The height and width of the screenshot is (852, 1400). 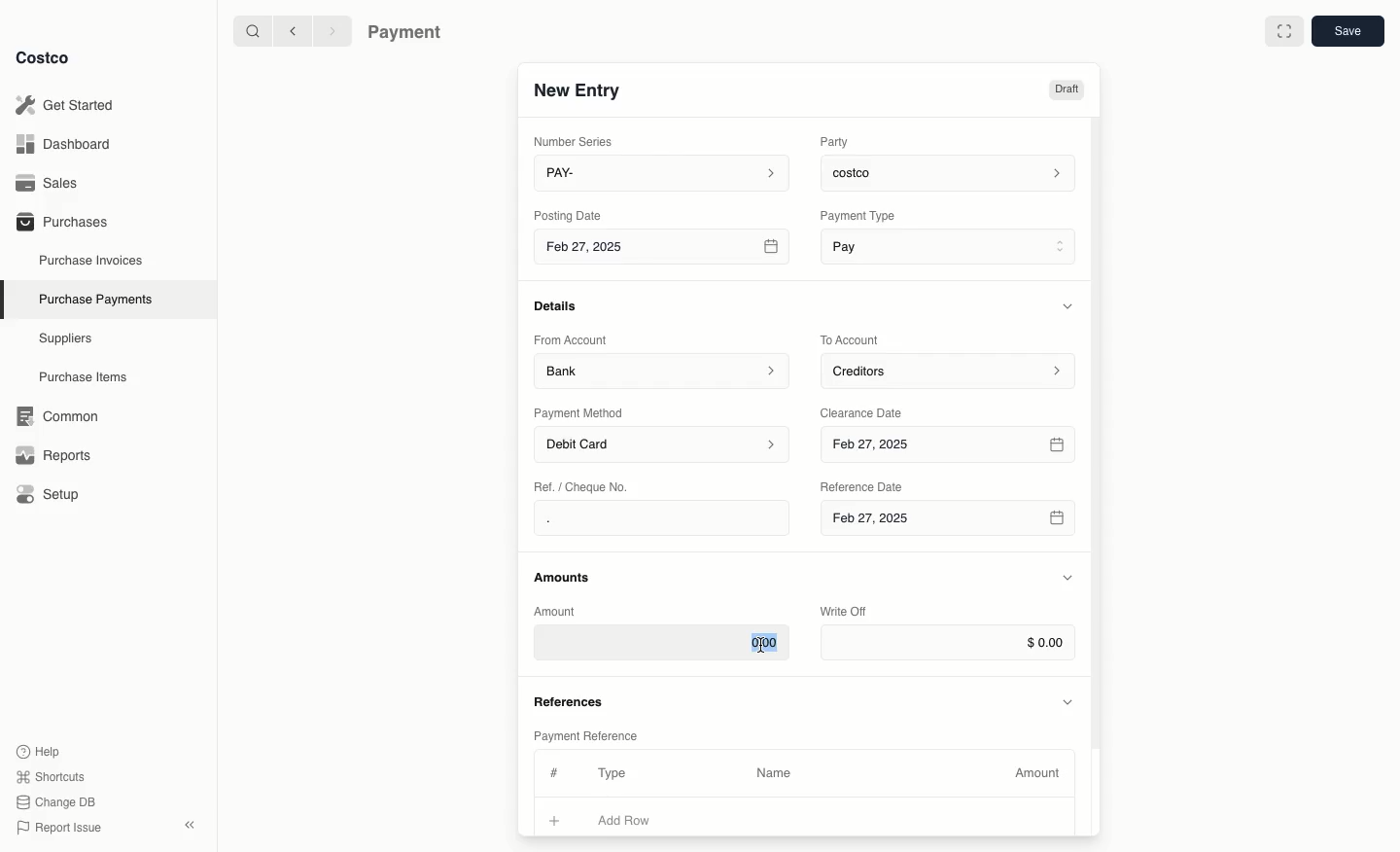 I want to click on Bank, so click(x=662, y=370).